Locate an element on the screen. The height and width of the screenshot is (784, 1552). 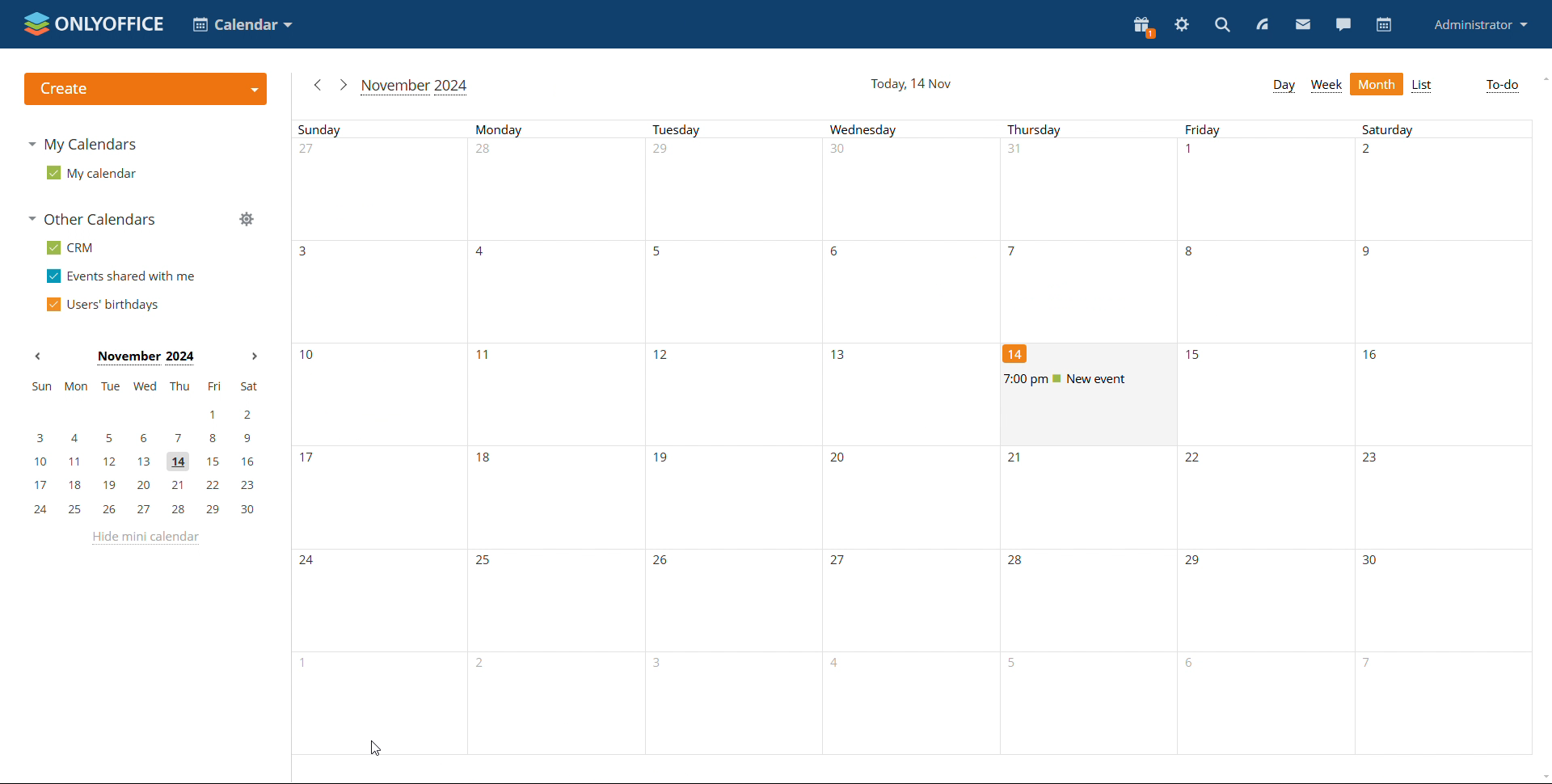
number is located at coordinates (1373, 563).